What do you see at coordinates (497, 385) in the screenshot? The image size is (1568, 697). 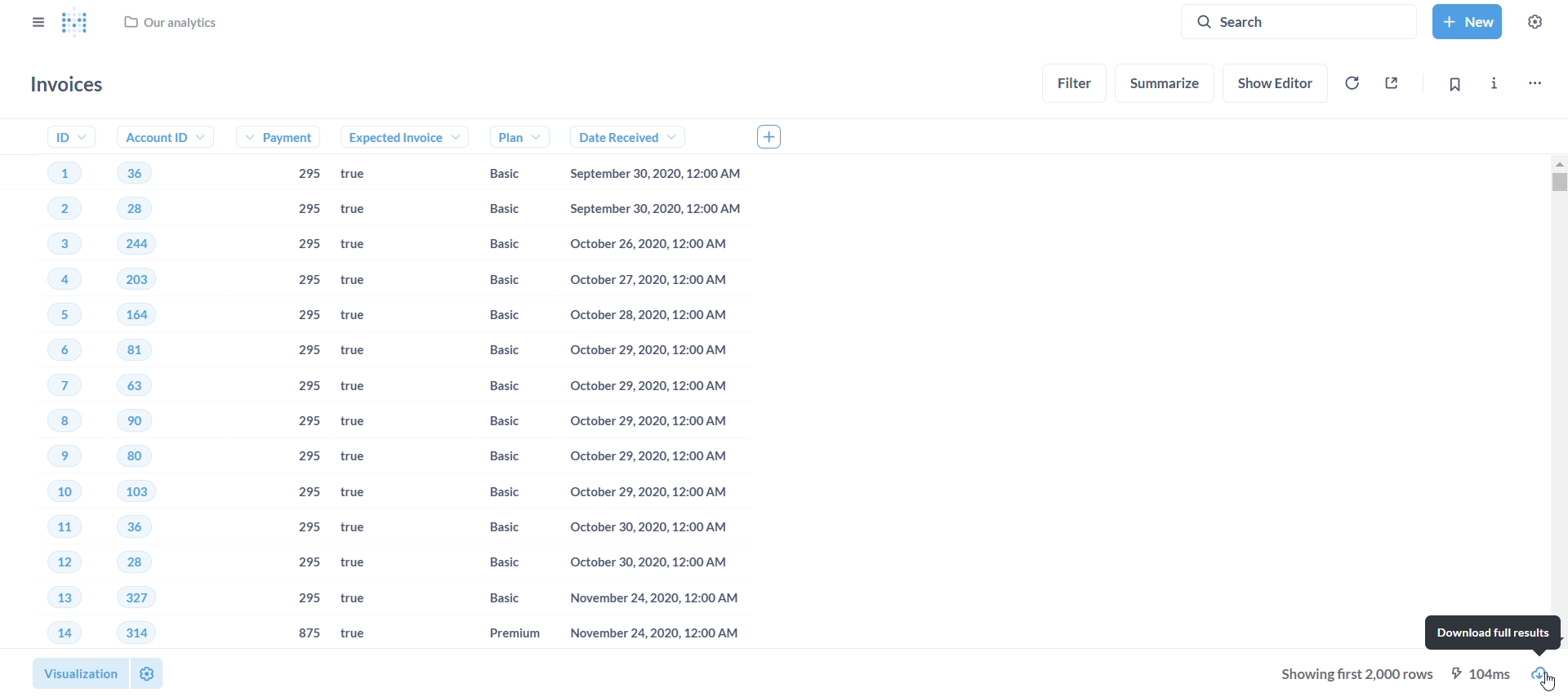 I see `Basic` at bounding box center [497, 385].